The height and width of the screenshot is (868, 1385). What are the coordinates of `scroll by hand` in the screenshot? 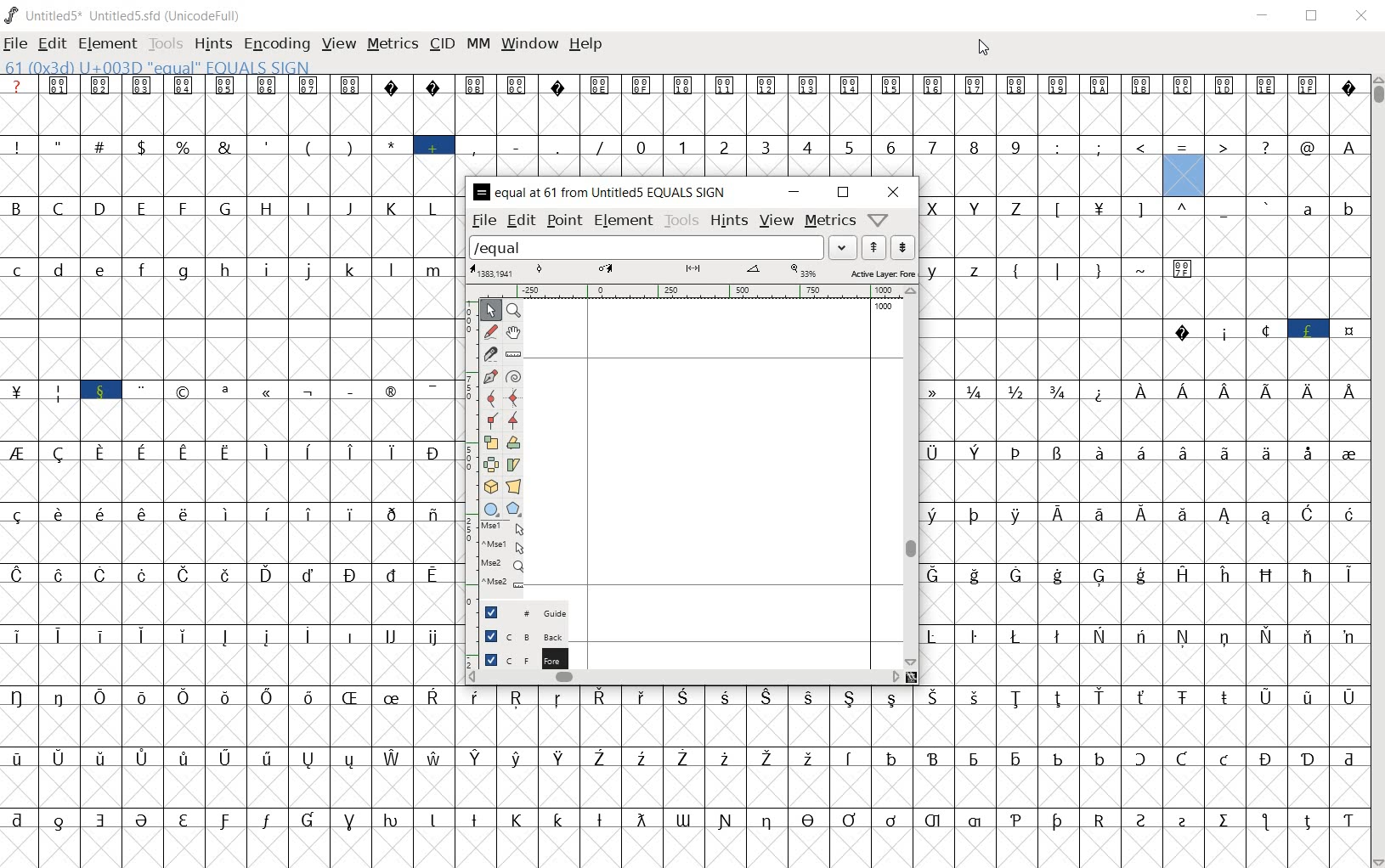 It's located at (513, 332).